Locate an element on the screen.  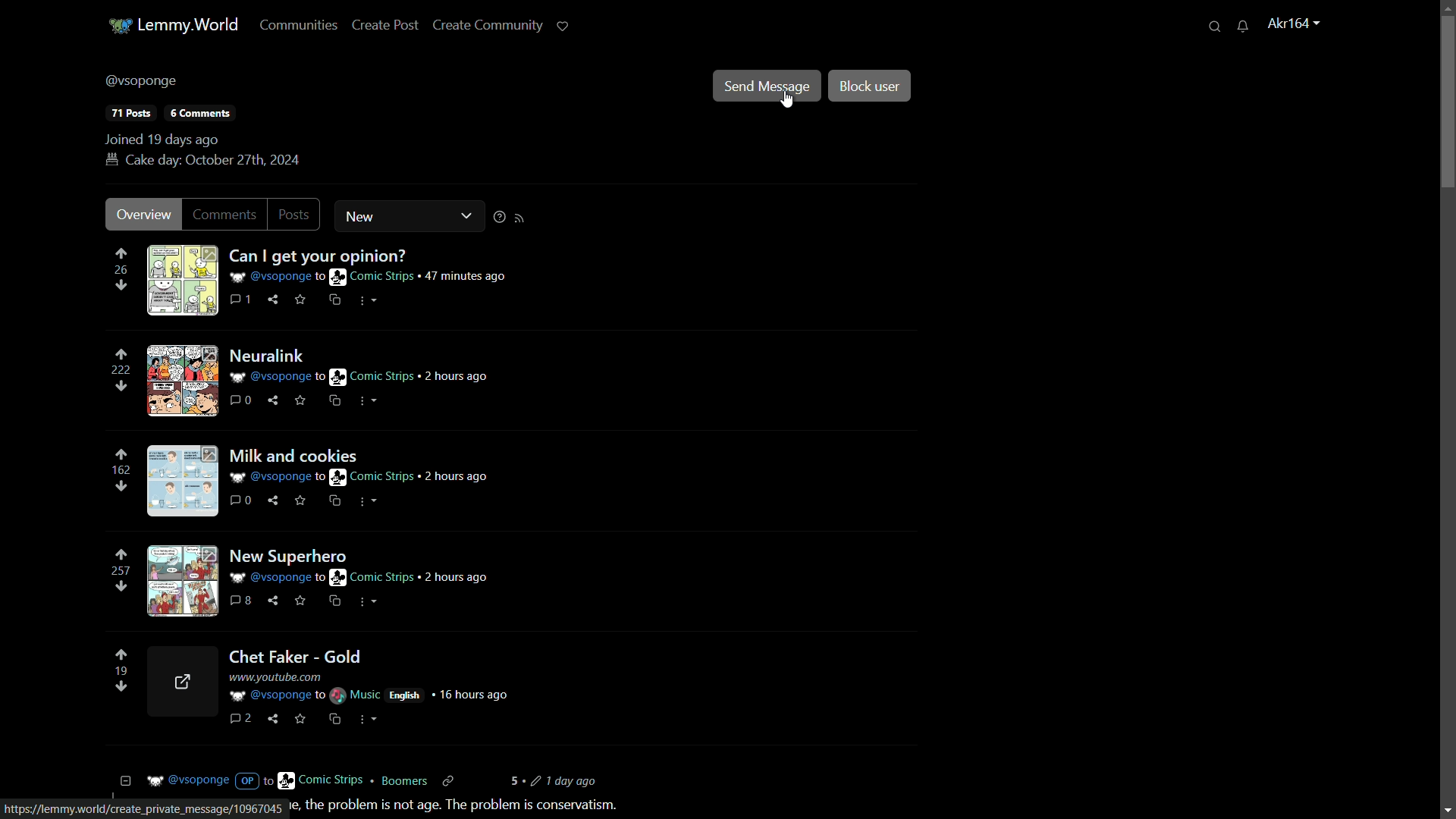
vertical scroll bar is located at coordinates (1442, 132).